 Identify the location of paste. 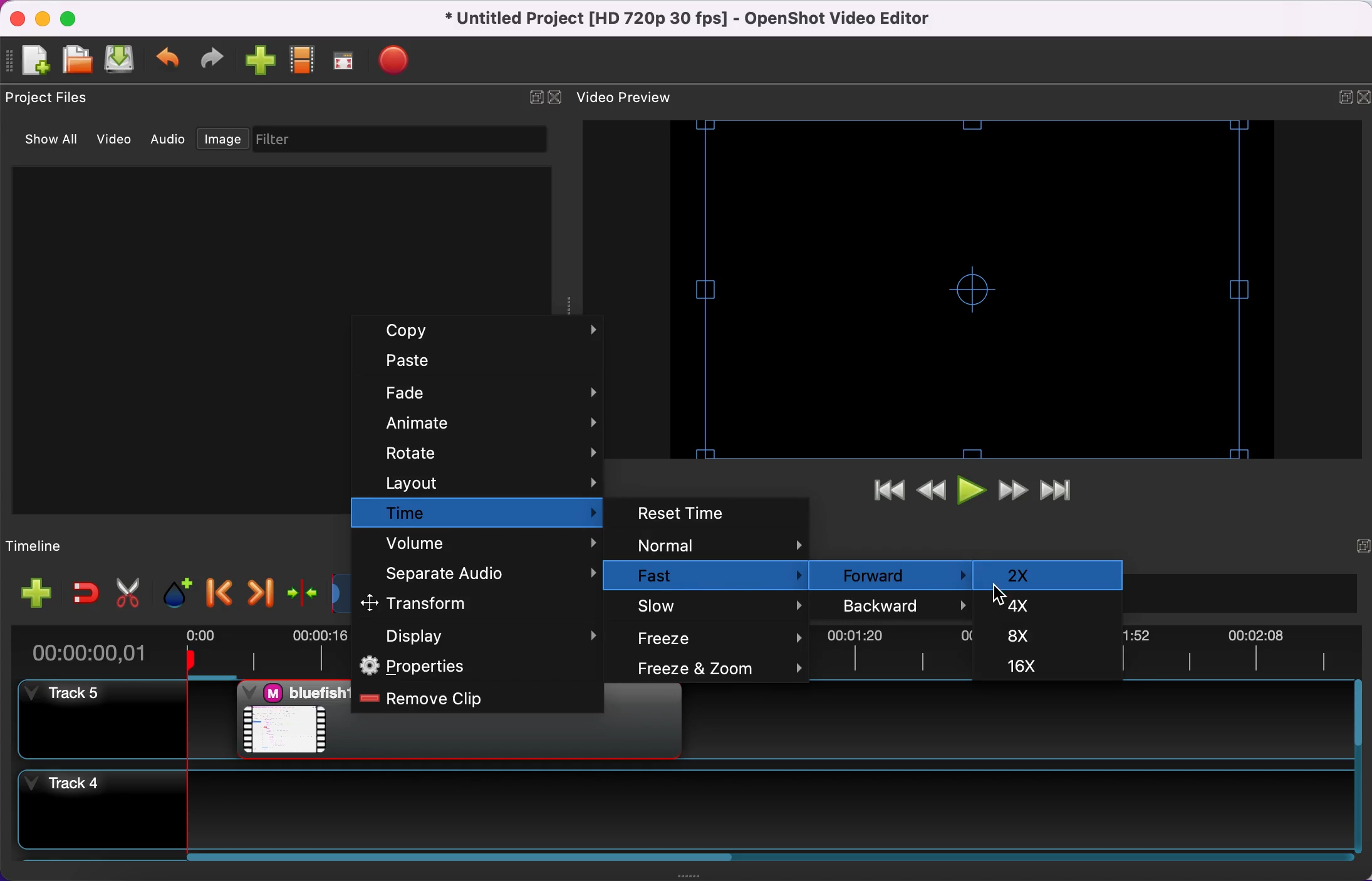
(483, 363).